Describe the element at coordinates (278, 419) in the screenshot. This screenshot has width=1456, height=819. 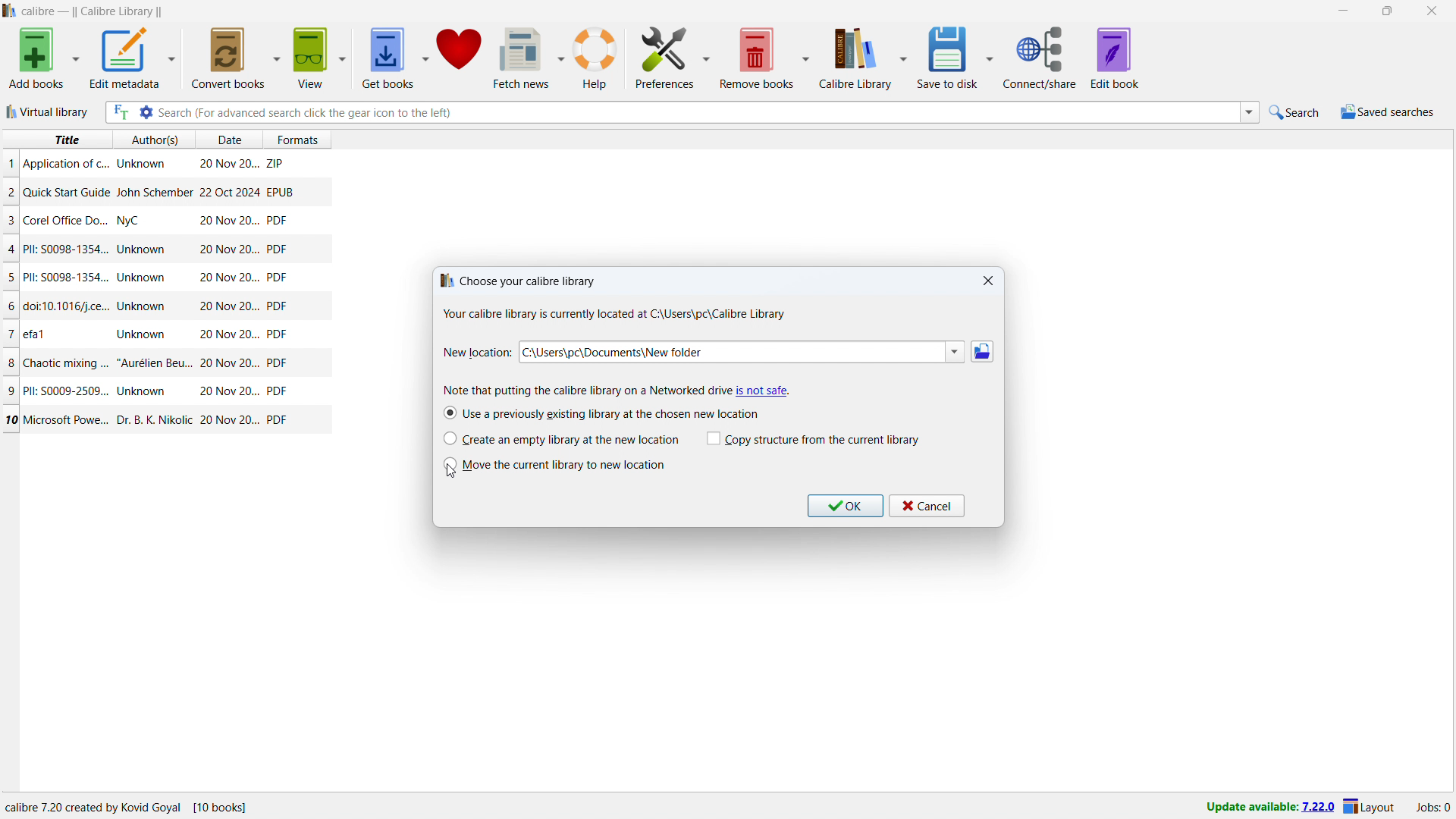
I see `PDF` at that location.